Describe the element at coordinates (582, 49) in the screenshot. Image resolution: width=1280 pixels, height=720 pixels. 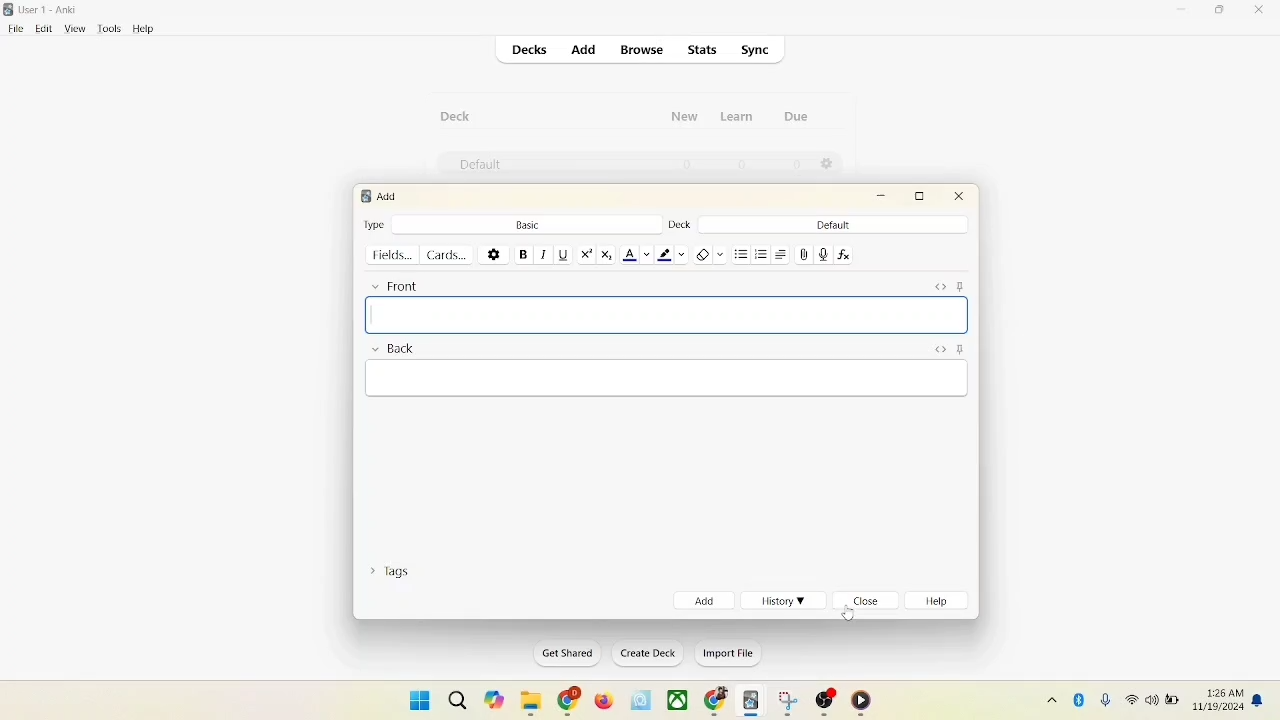
I see `add` at that location.